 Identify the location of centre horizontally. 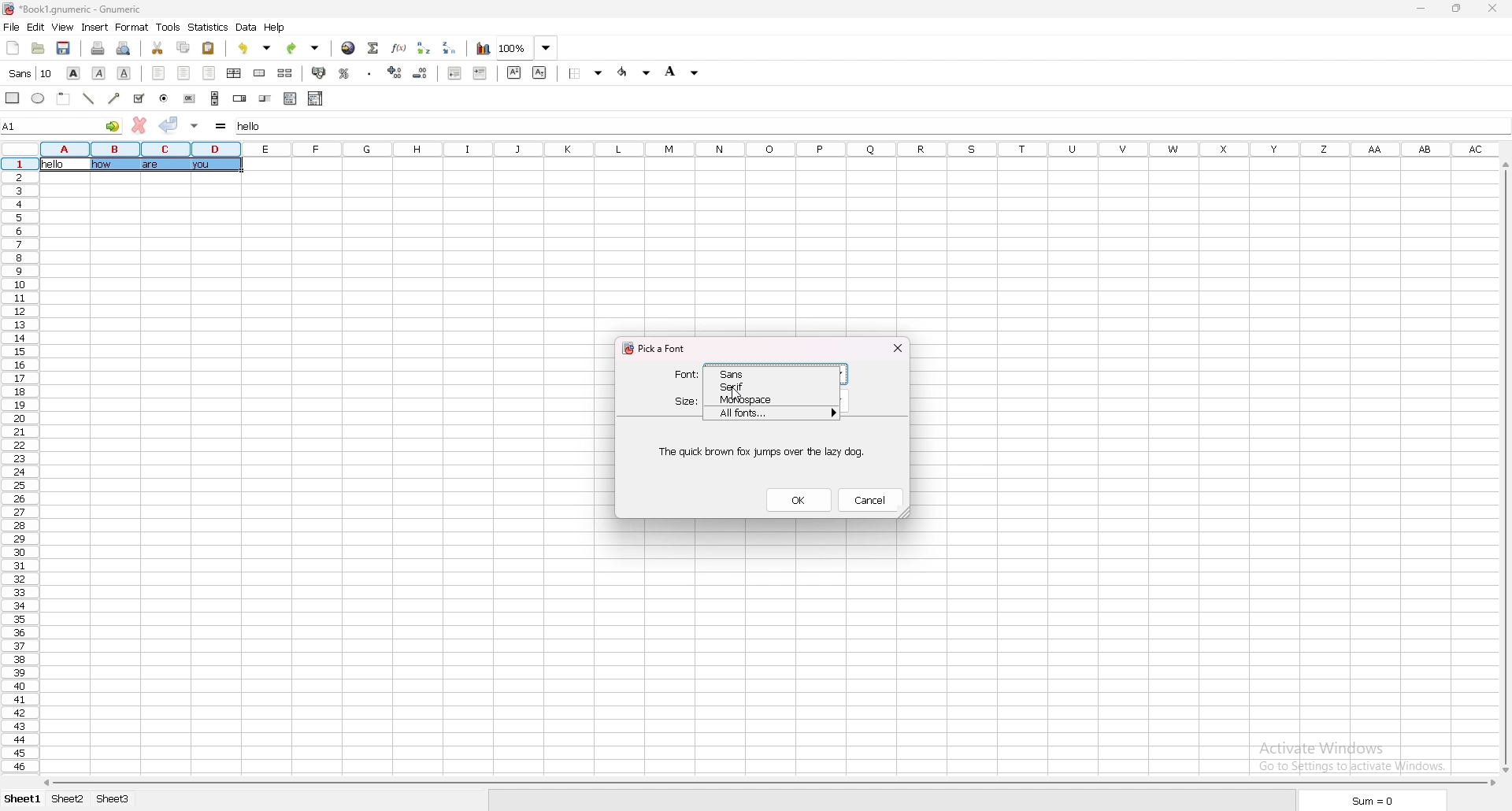
(235, 72).